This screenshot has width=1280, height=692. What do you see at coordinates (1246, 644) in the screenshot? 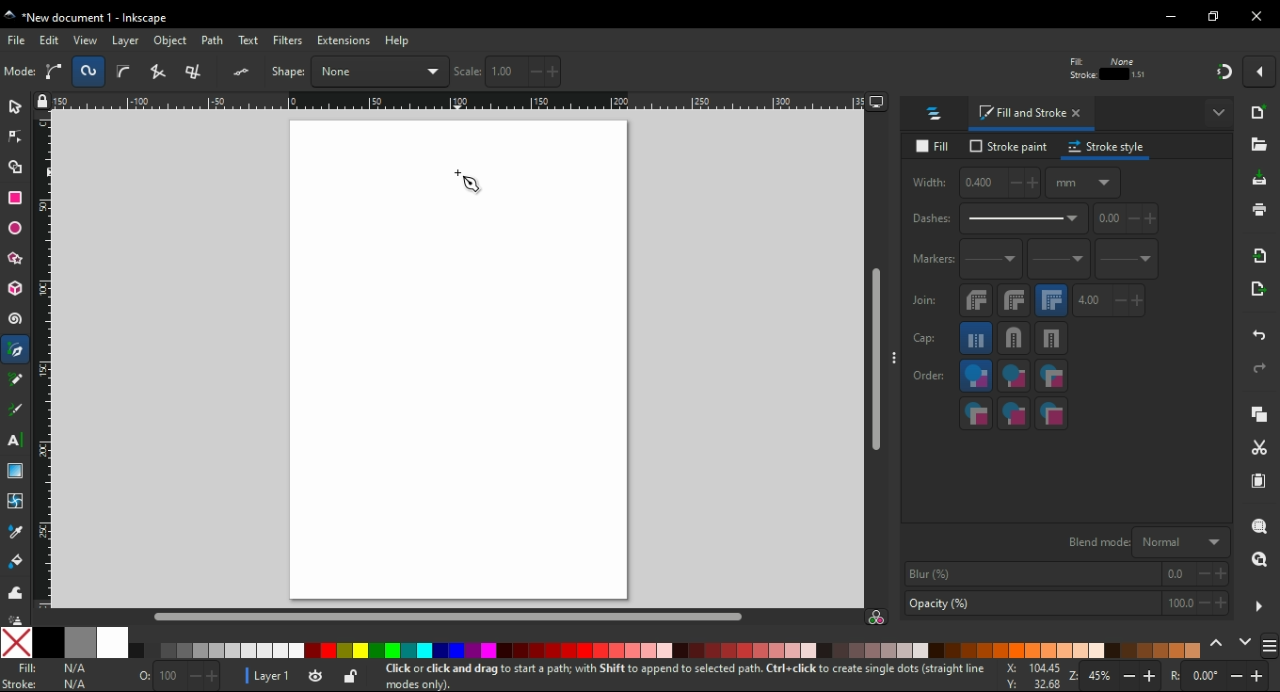
I see `next ` at bounding box center [1246, 644].